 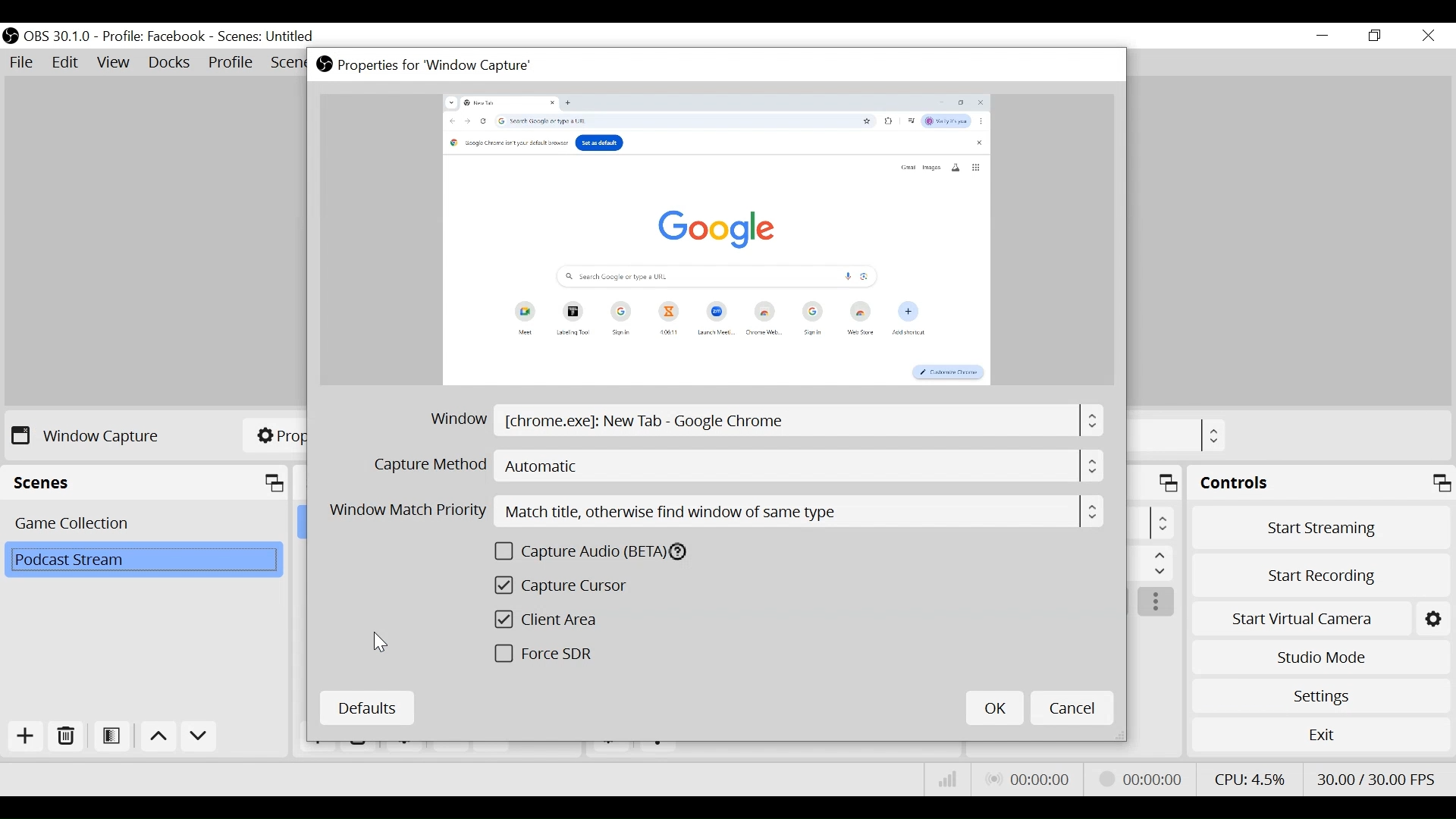 What do you see at coordinates (115, 63) in the screenshot?
I see `View` at bounding box center [115, 63].